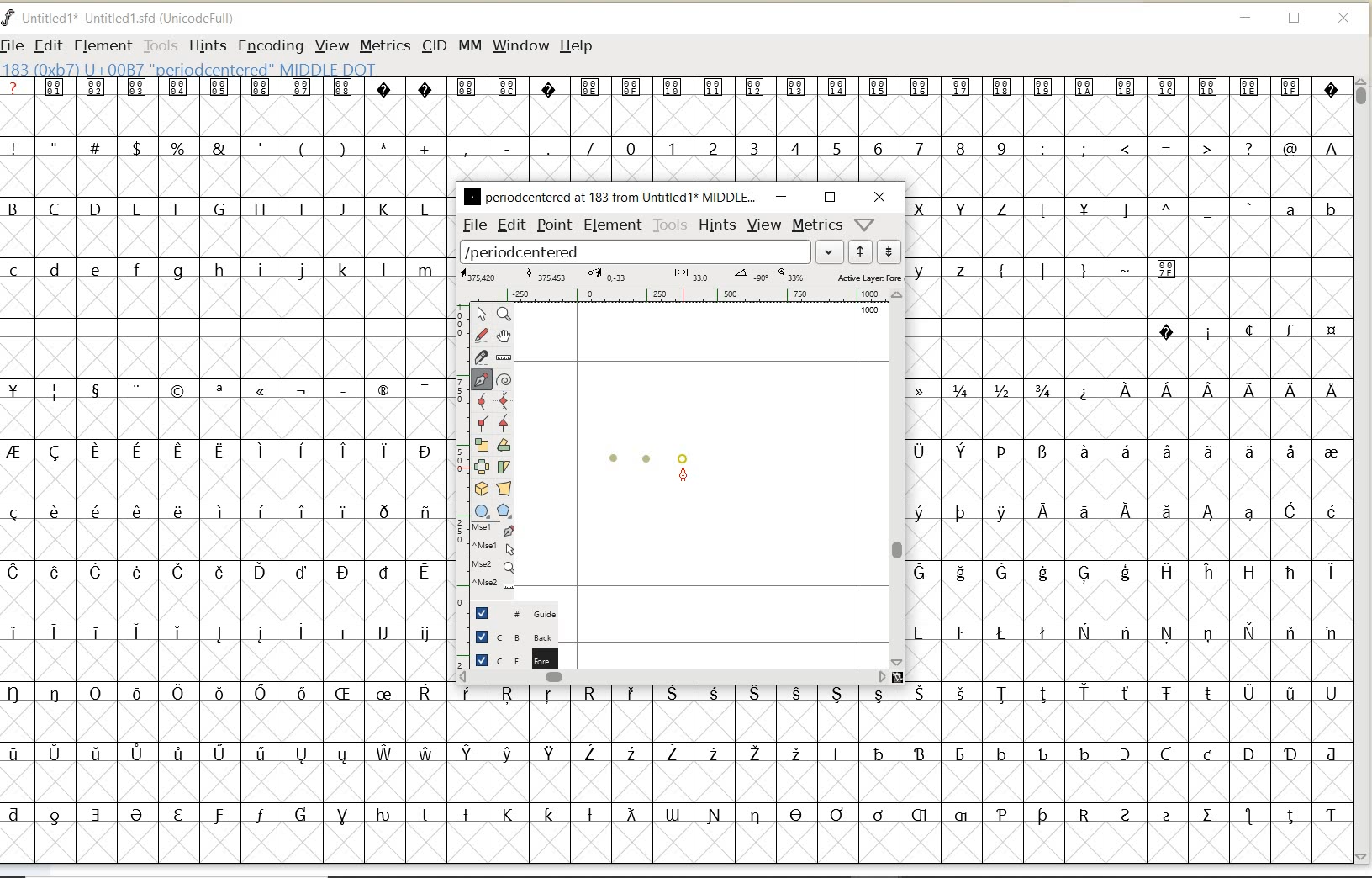  What do you see at coordinates (504, 465) in the screenshot?
I see `skew the selection` at bounding box center [504, 465].